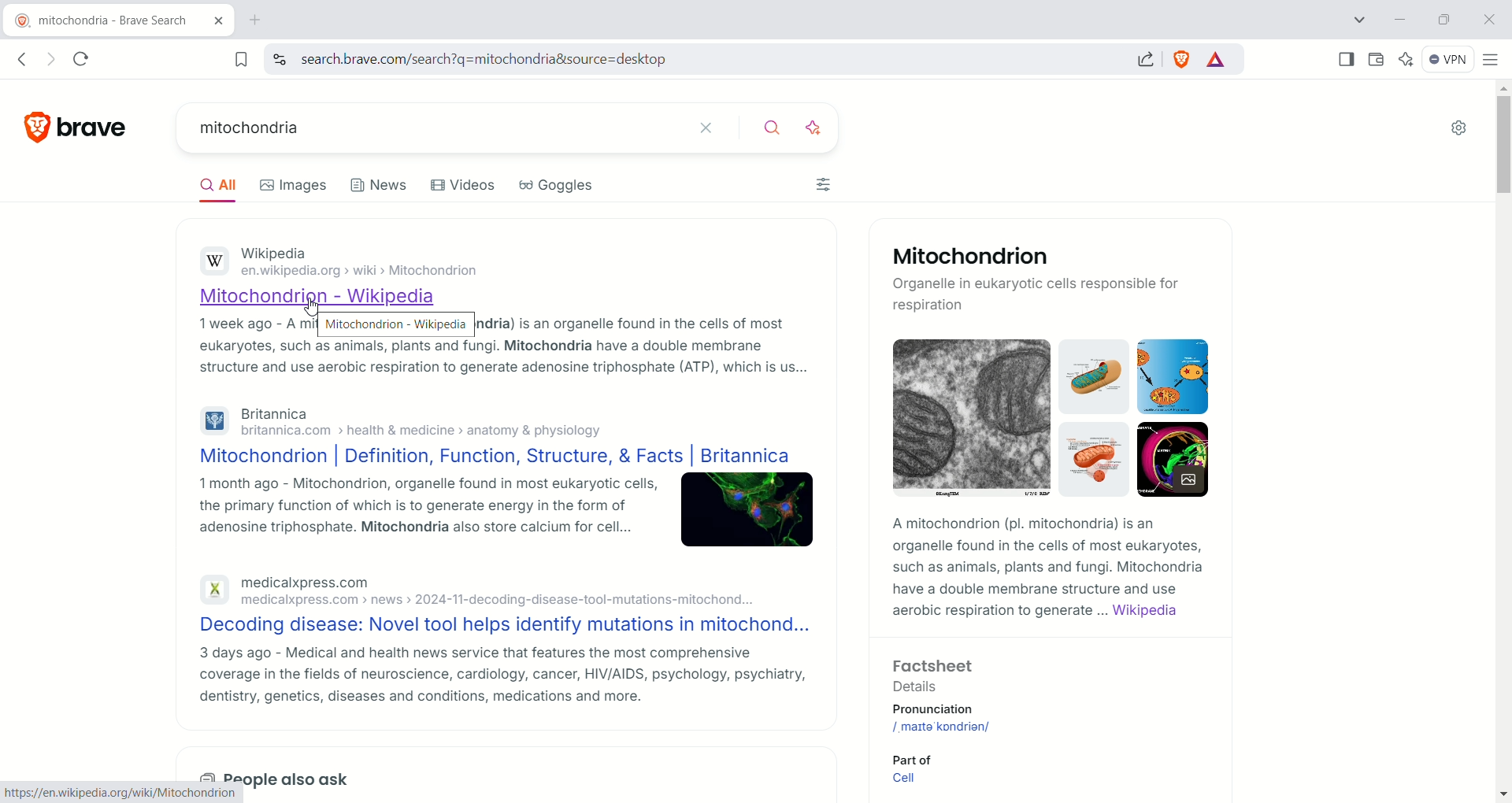 The height and width of the screenshot is (803, 1512). Describe the element at coordinates (21, 60) in the screenshot. I see `go back` at that location.